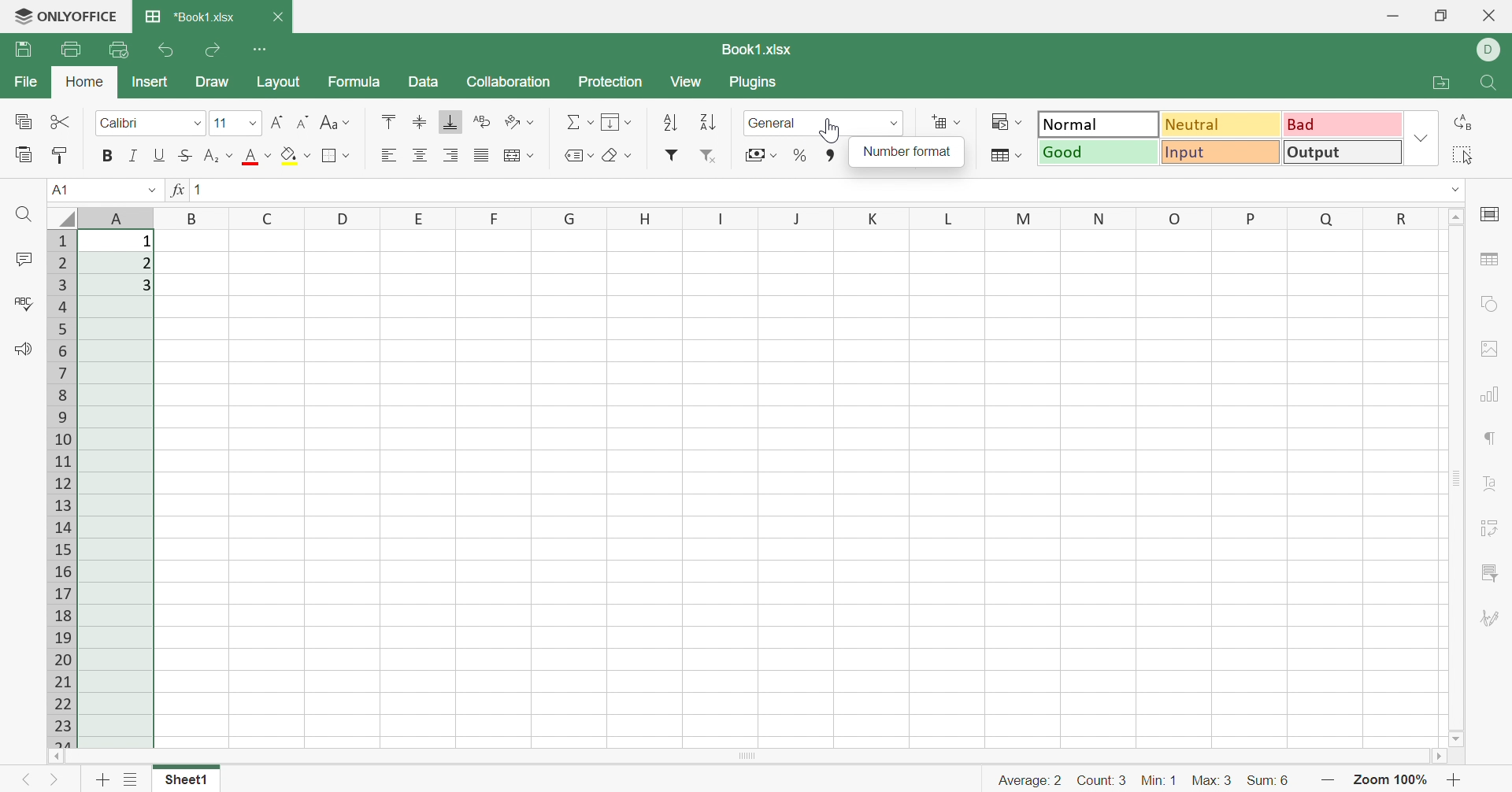 The image size is (1512, 792). What do you see at coordinates (773, 218) in the screenshot?
I see `Column names` at bounding box center [773, 218].